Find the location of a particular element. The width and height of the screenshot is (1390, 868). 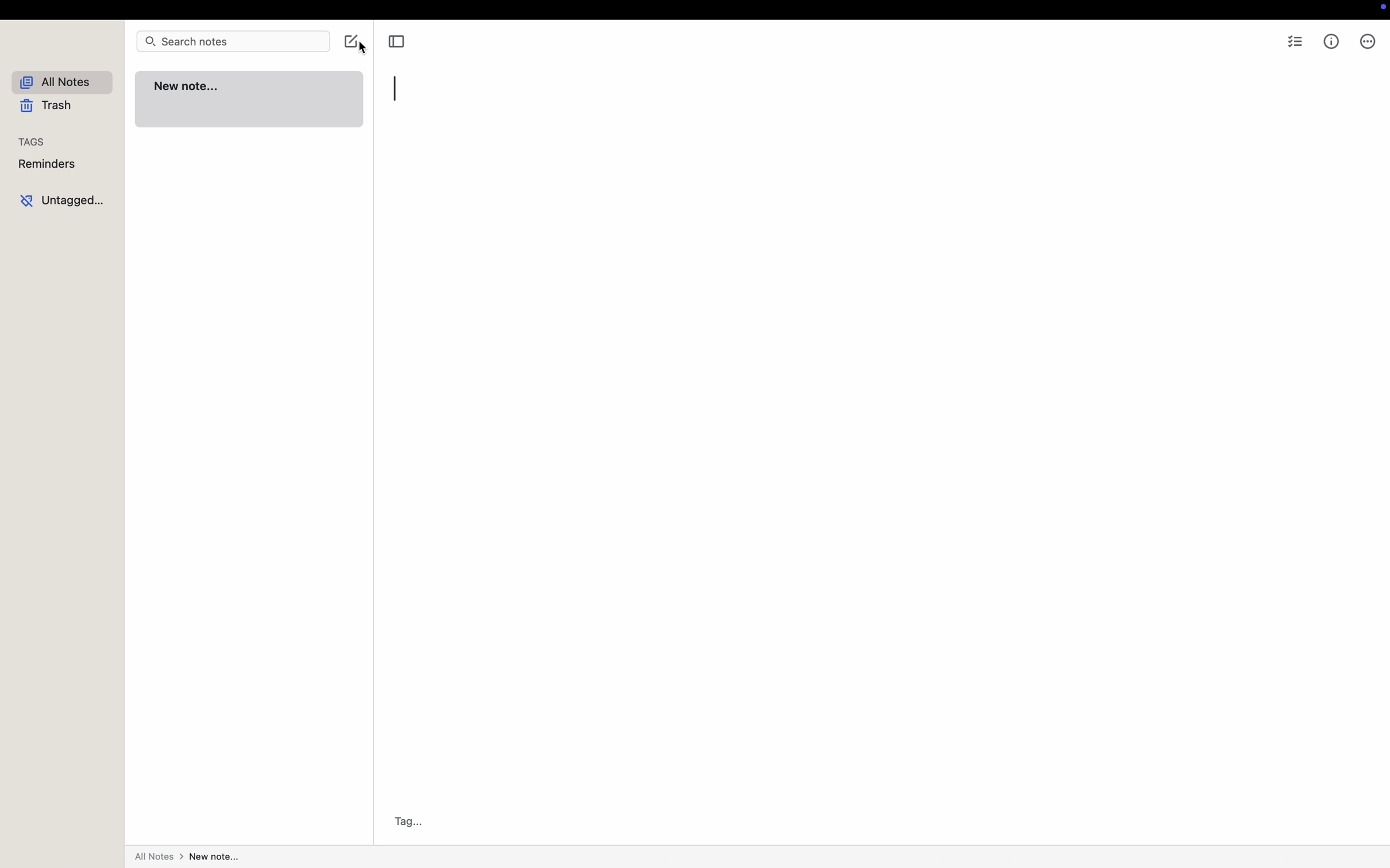

toggle sidebar is located at coordinates (396, 42).